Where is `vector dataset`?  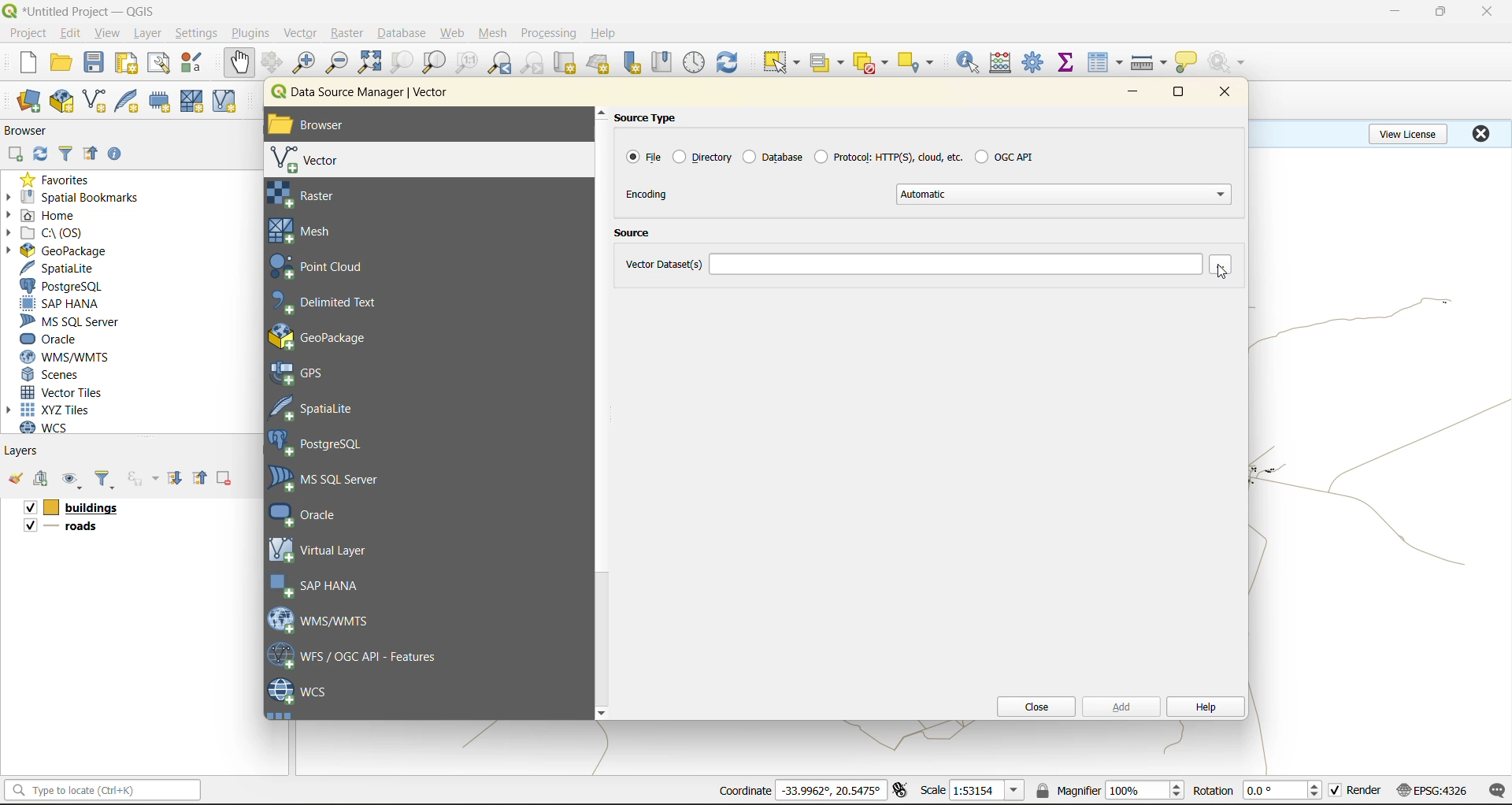 vector dataset is located at coordinates (663, 263).